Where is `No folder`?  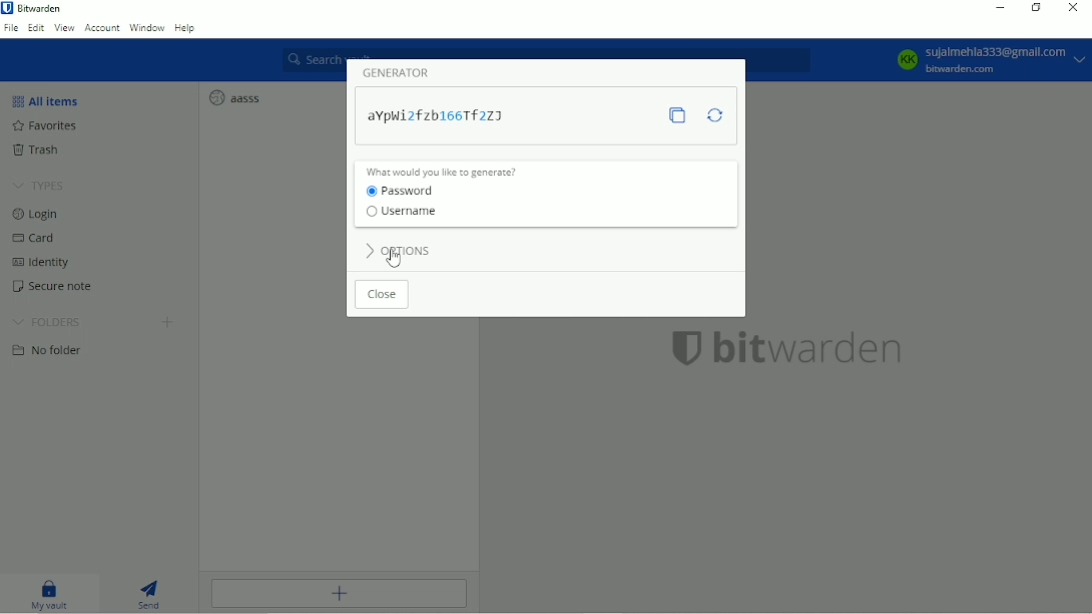 No folder is located at coordinates (53, 353).